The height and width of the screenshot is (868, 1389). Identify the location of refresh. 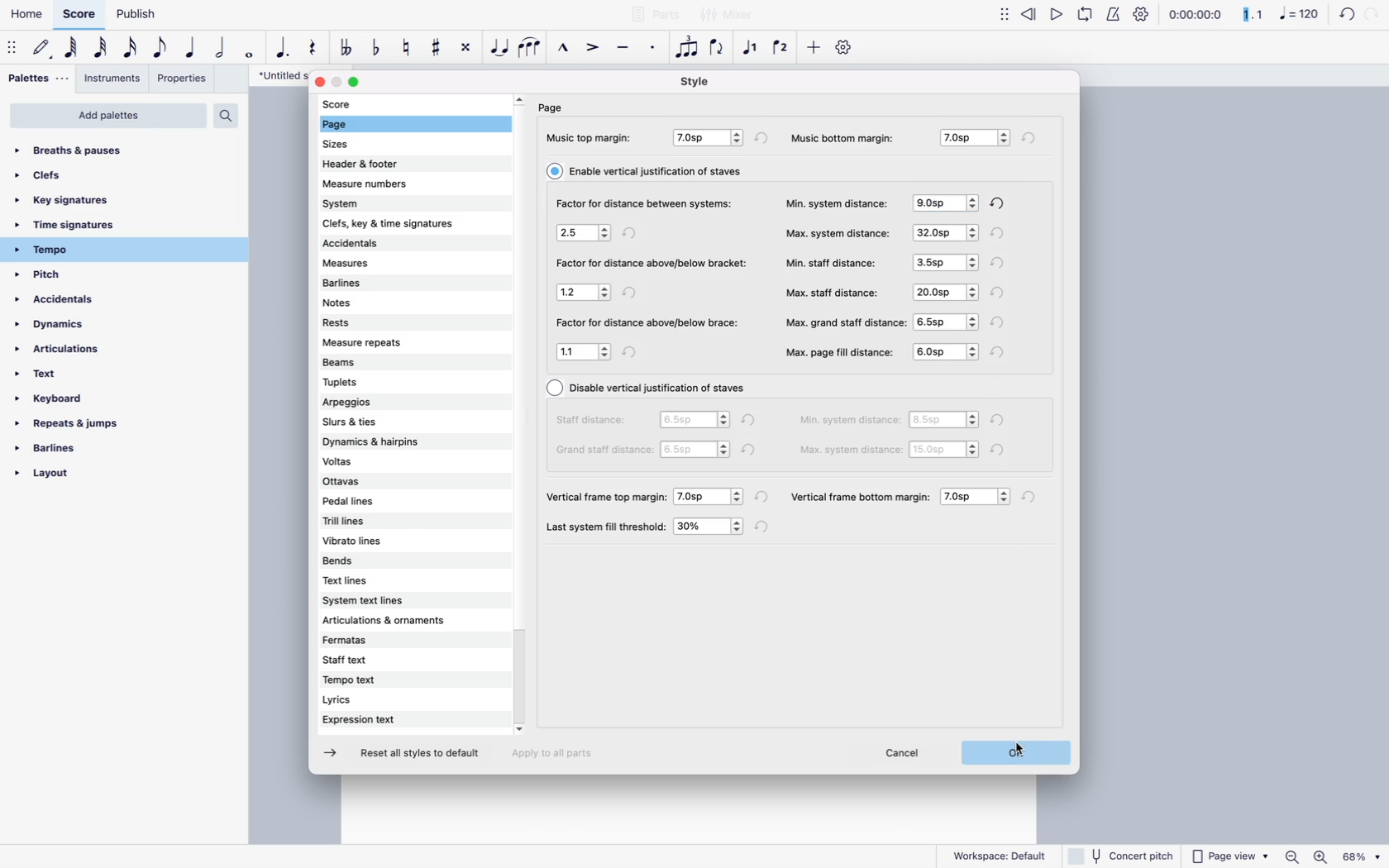
(1030, 137).